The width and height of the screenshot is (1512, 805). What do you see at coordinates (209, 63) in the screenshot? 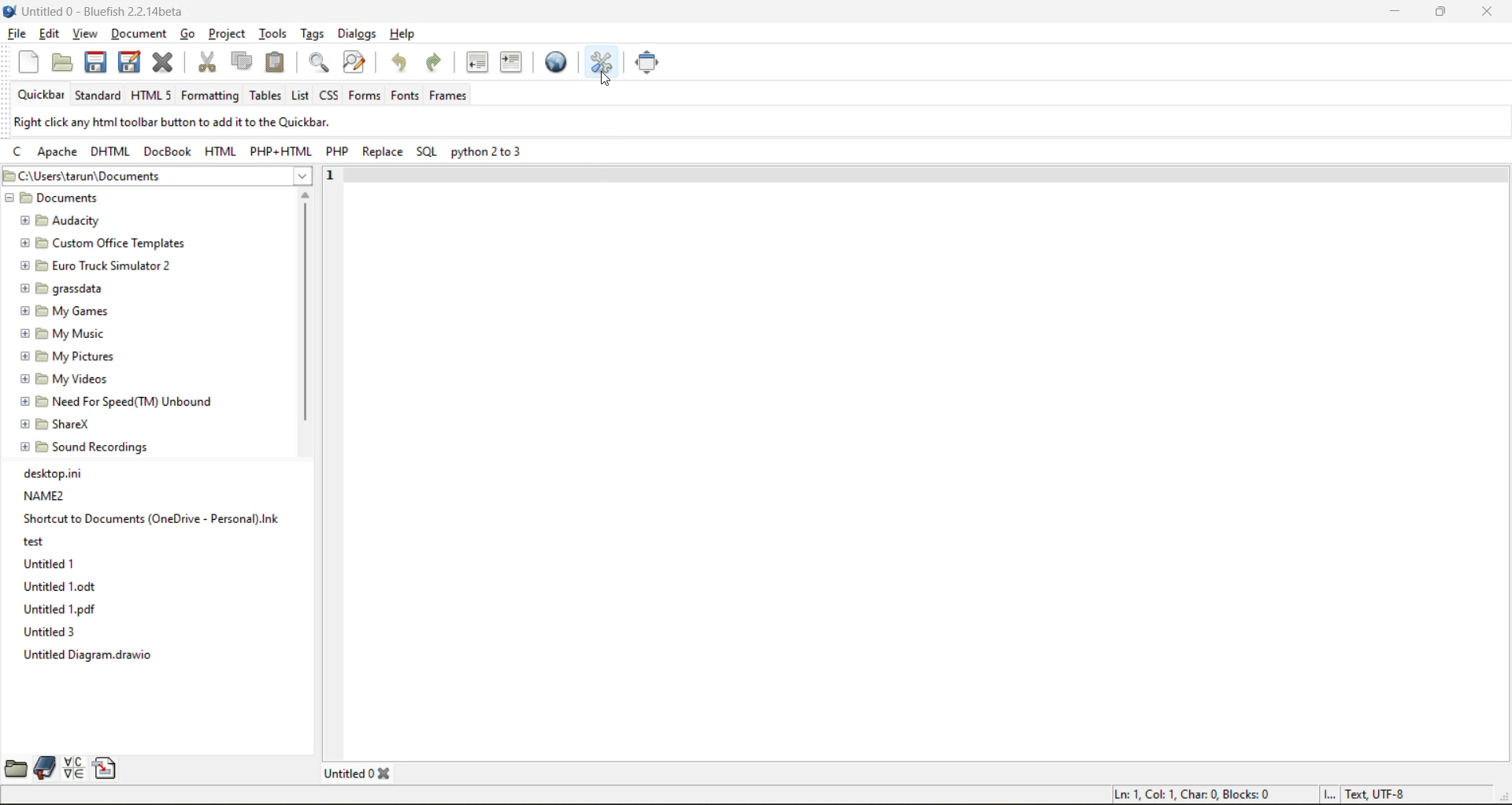
I see `cut` at bounding box center [209, 63].